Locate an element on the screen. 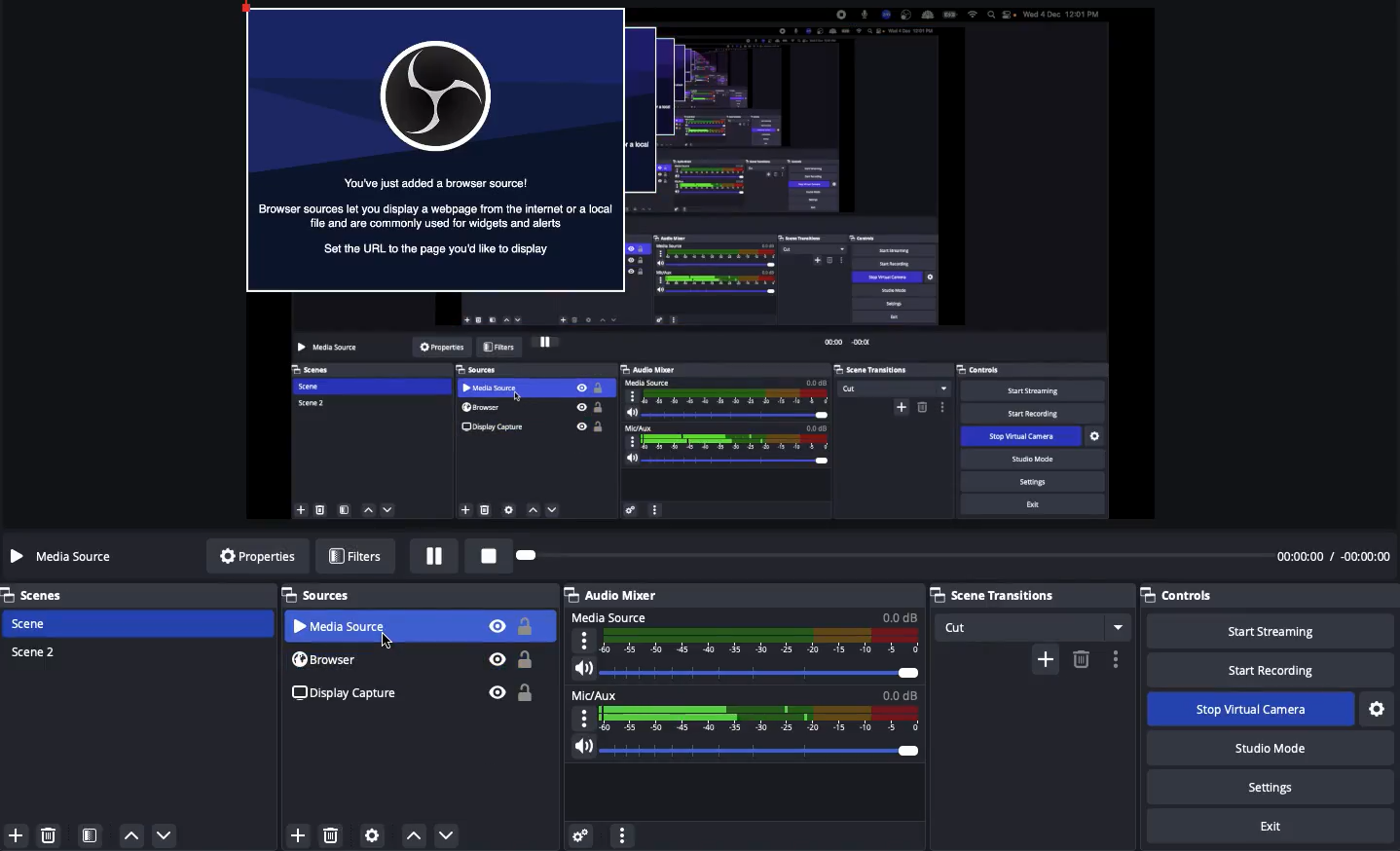 The height and width of the screenshot is (851, 1400). Display capture is located at coordinates (348, 692).